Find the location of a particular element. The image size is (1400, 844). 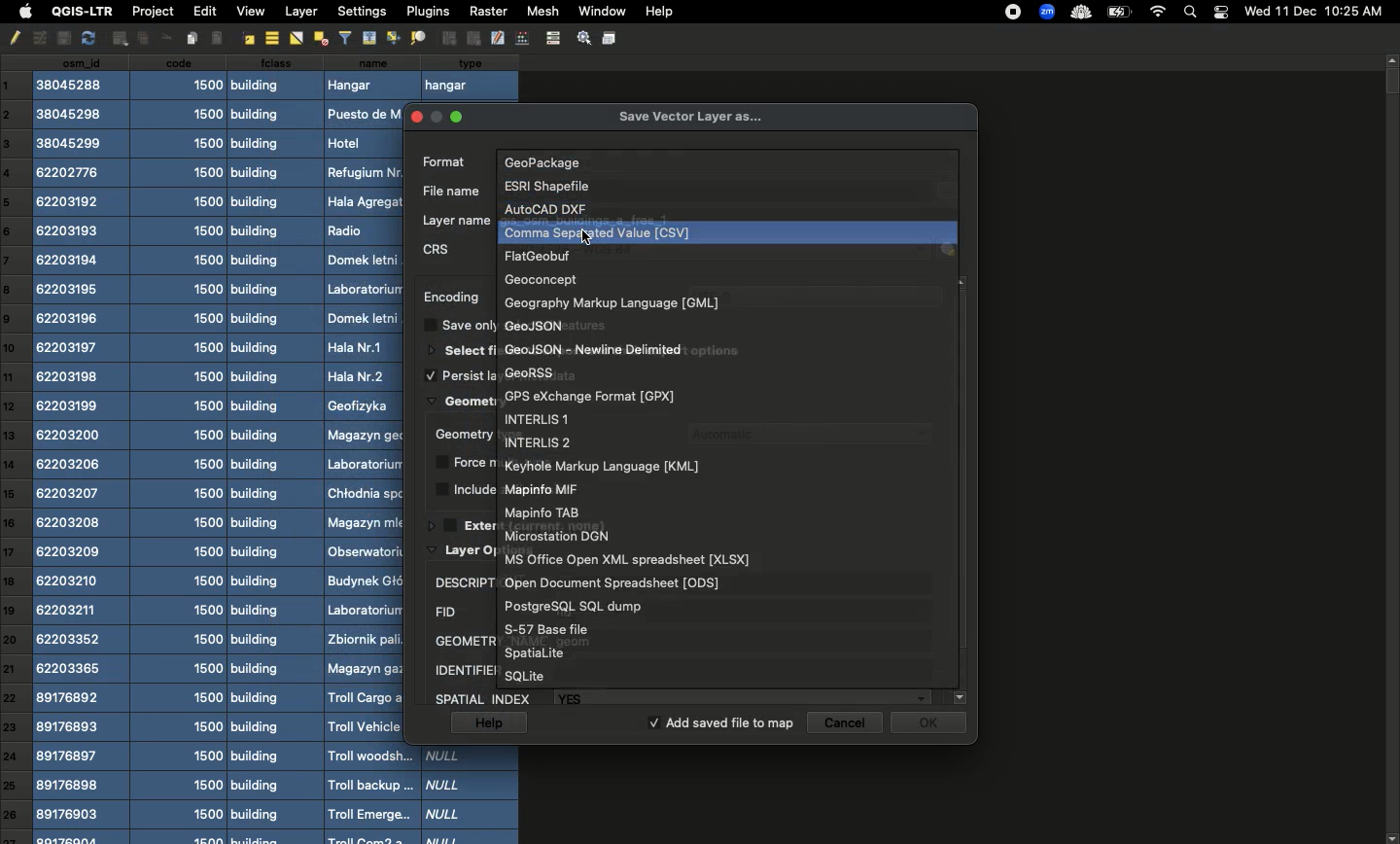

Insert Text Box is located at coordinates (139, 39).